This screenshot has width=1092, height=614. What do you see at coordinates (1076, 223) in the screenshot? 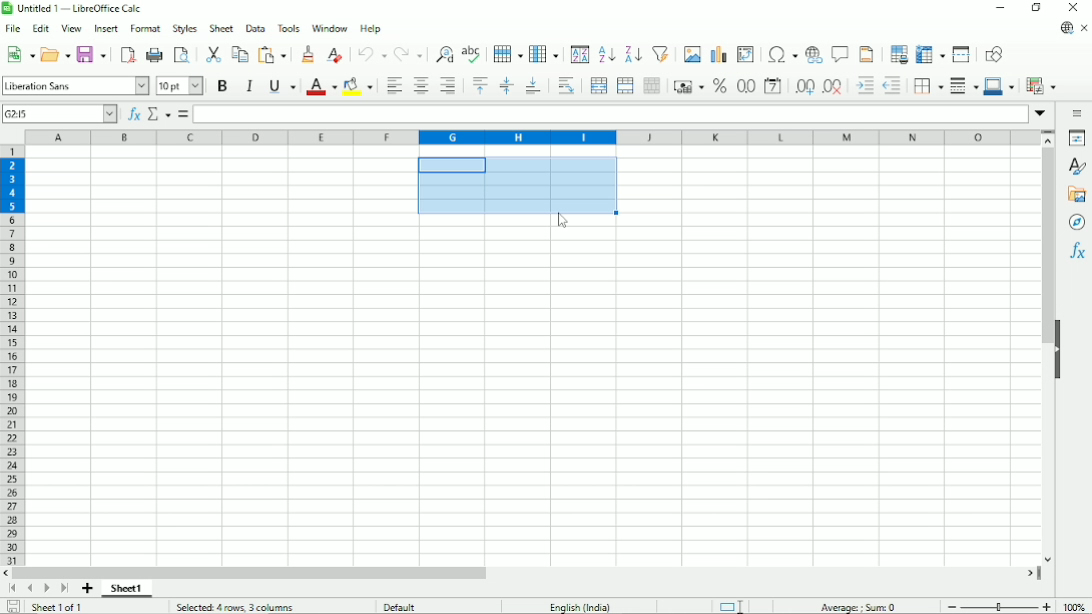
I see `Navigator` at bounding box center [1076, 223].